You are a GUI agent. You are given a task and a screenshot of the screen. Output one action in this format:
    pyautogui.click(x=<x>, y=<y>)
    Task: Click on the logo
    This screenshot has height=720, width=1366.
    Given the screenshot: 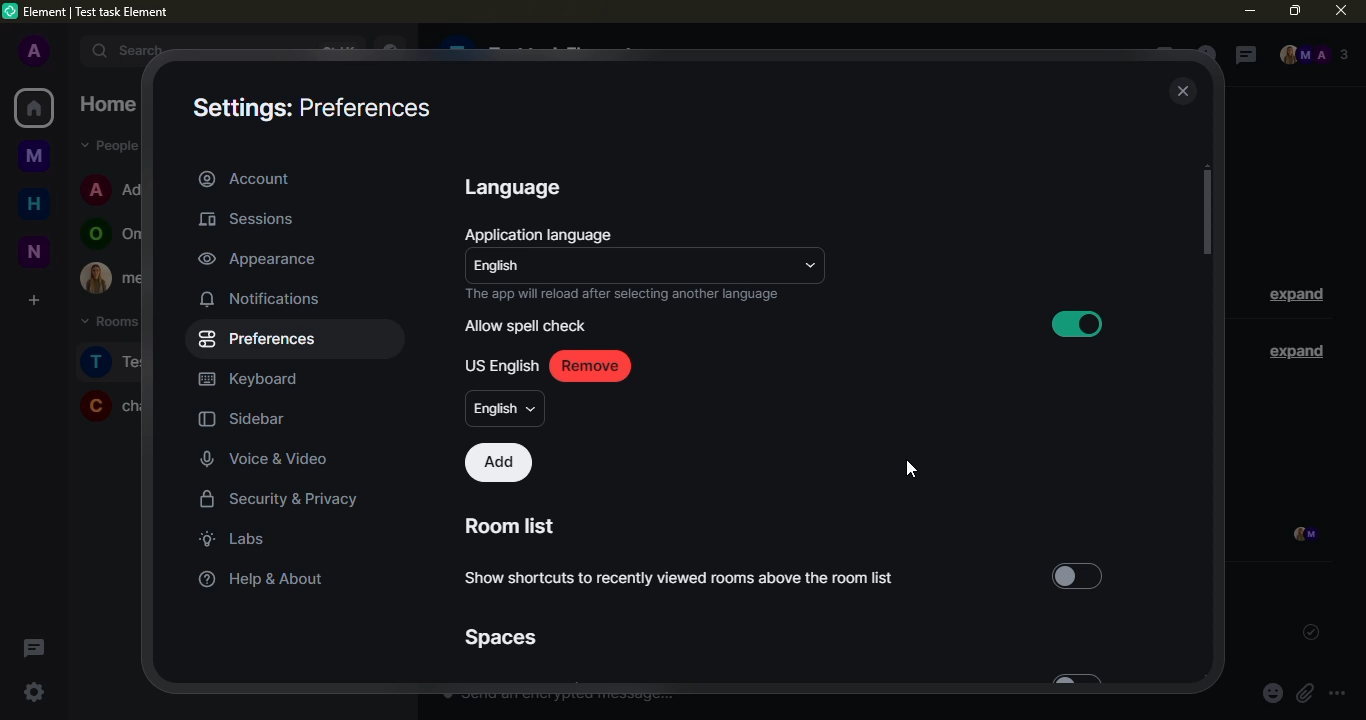 What is the action you would take?
    pyautogui.click(x=11, y=11)
    